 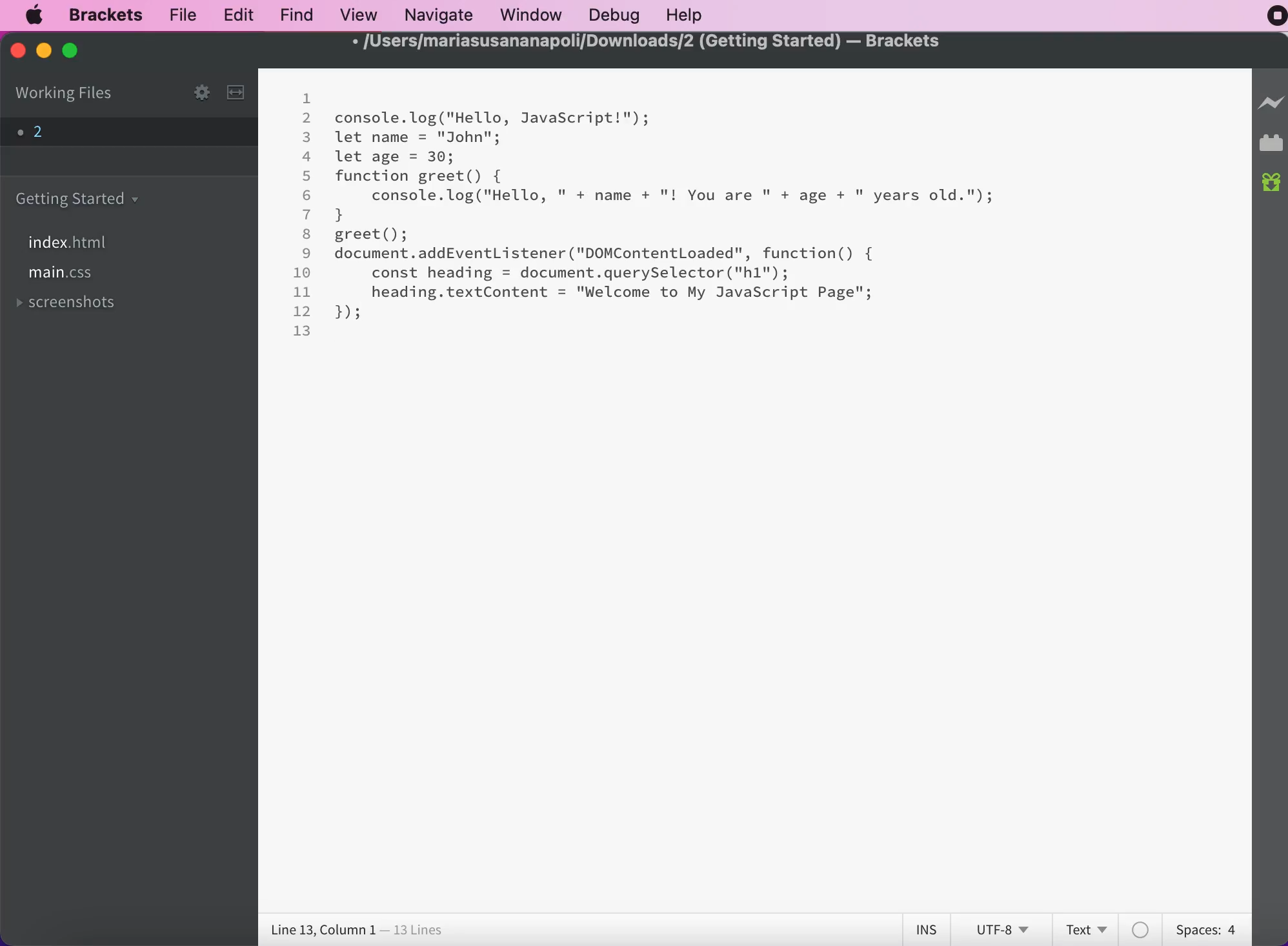 I want to click on getting started folder, so click(x=84, y=197).